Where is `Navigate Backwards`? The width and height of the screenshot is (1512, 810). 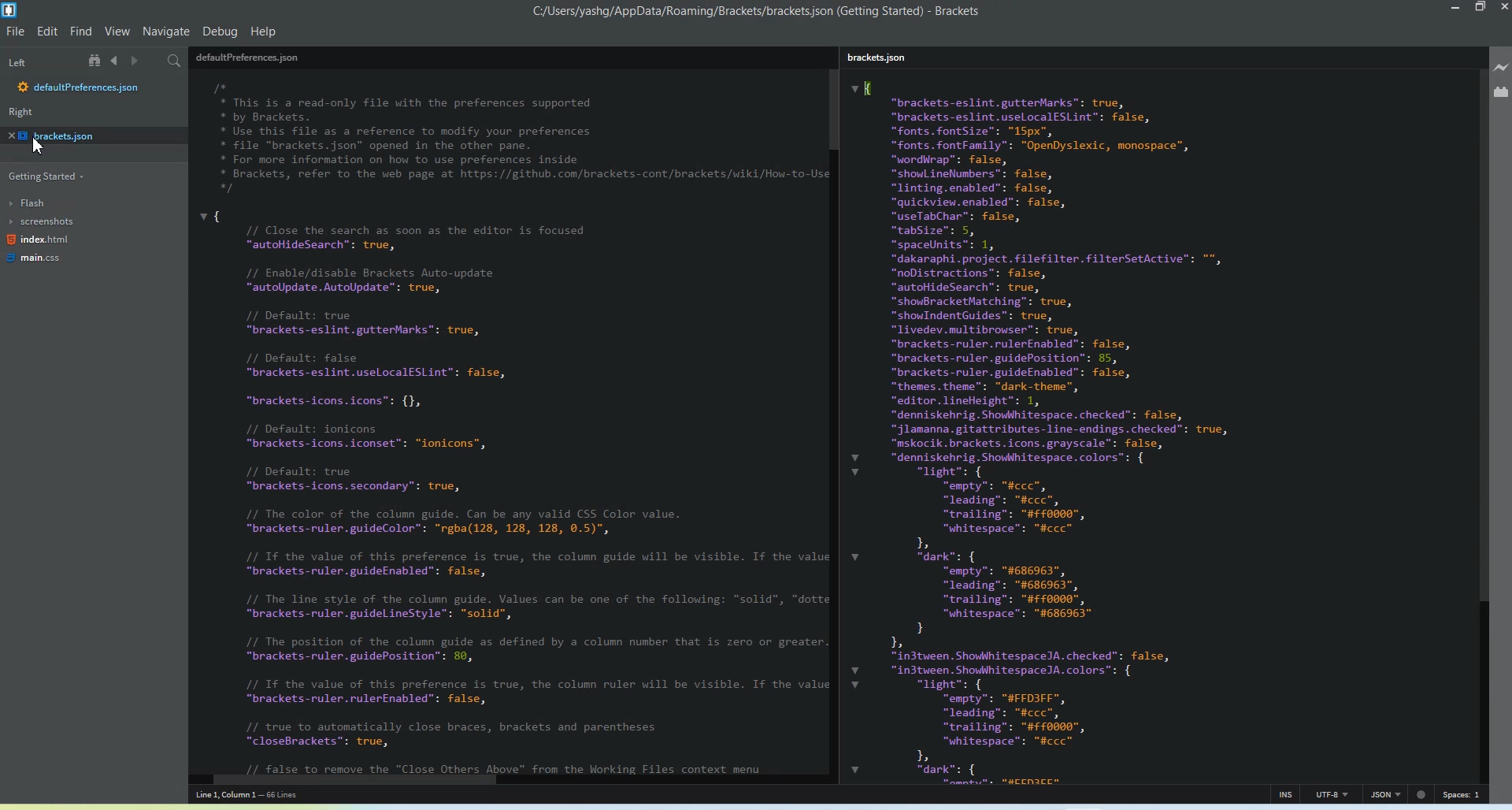
Navigate Backwards is located at coordinates (117, 61).